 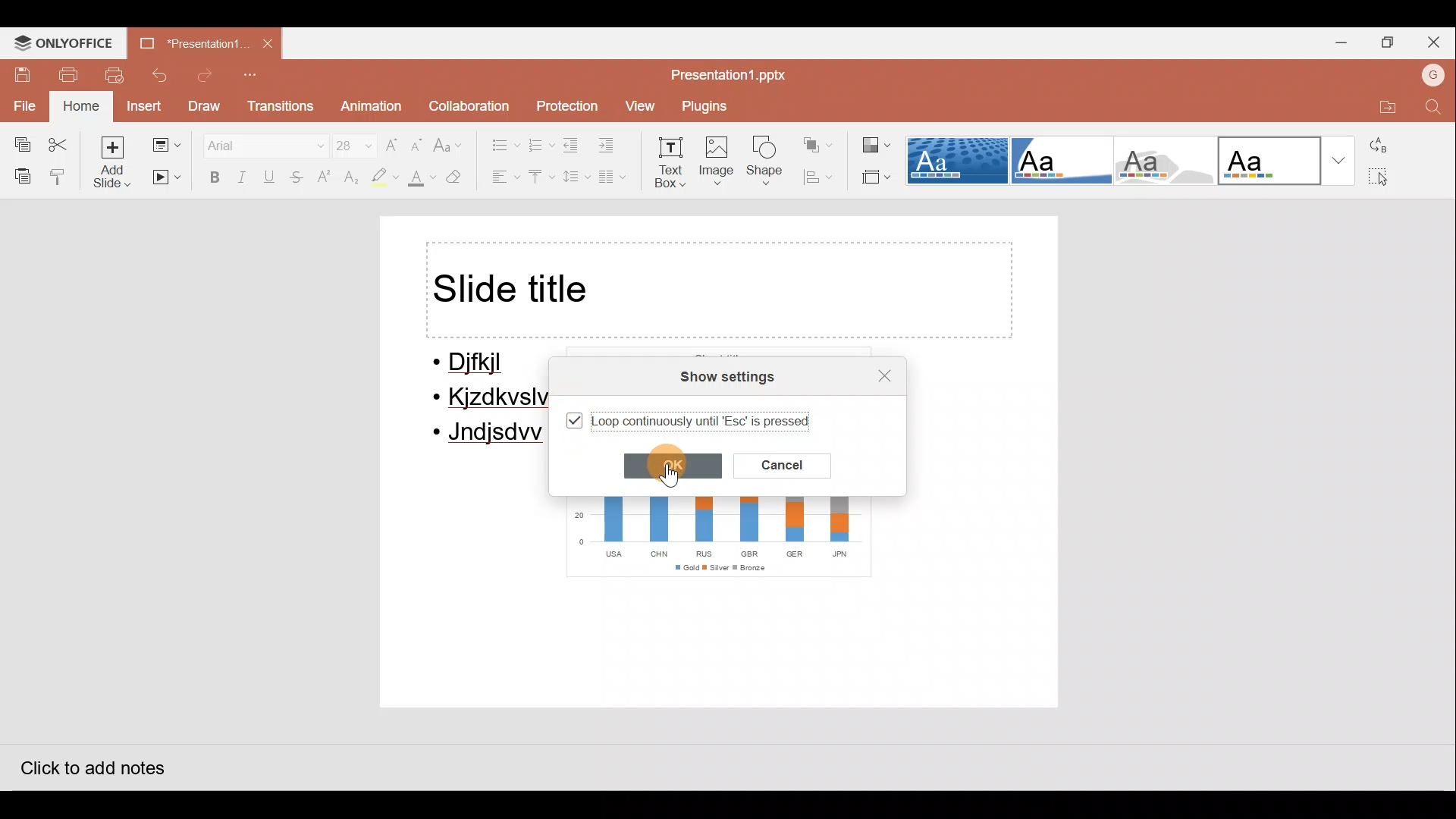 What do you see at coordinates (265, 176) in the screenshot?
I see `Underline` at bounding box center [265, 176].